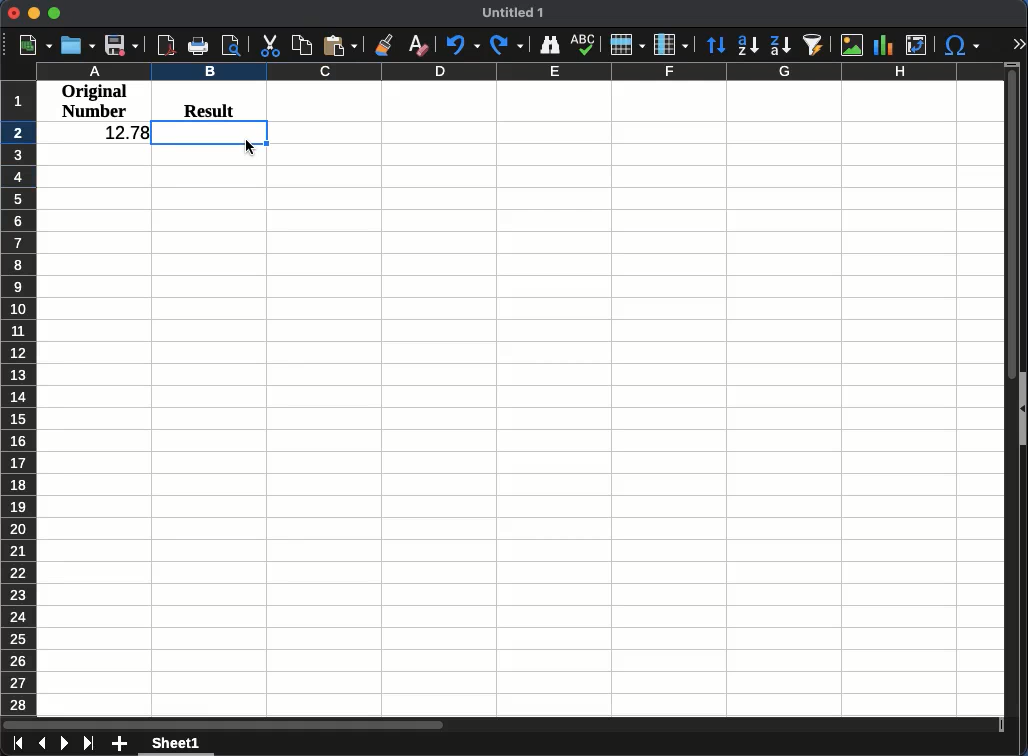 The width and height of the screenshot is (1028, 756). What do you see at coordinates (462, 47) in the screenshot?
I see `Undo` at bounding box center [462, 47].